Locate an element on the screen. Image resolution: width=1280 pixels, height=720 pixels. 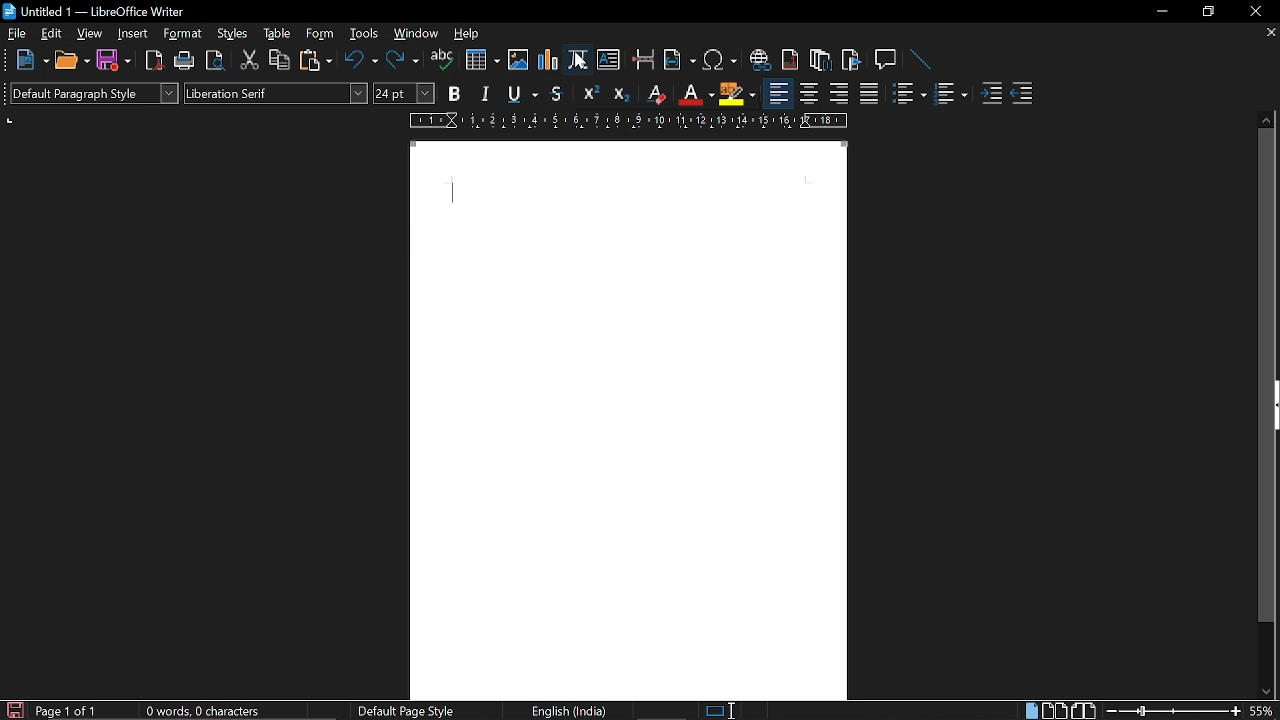
0 words, 0 characters is located at coordinates (208, 711).